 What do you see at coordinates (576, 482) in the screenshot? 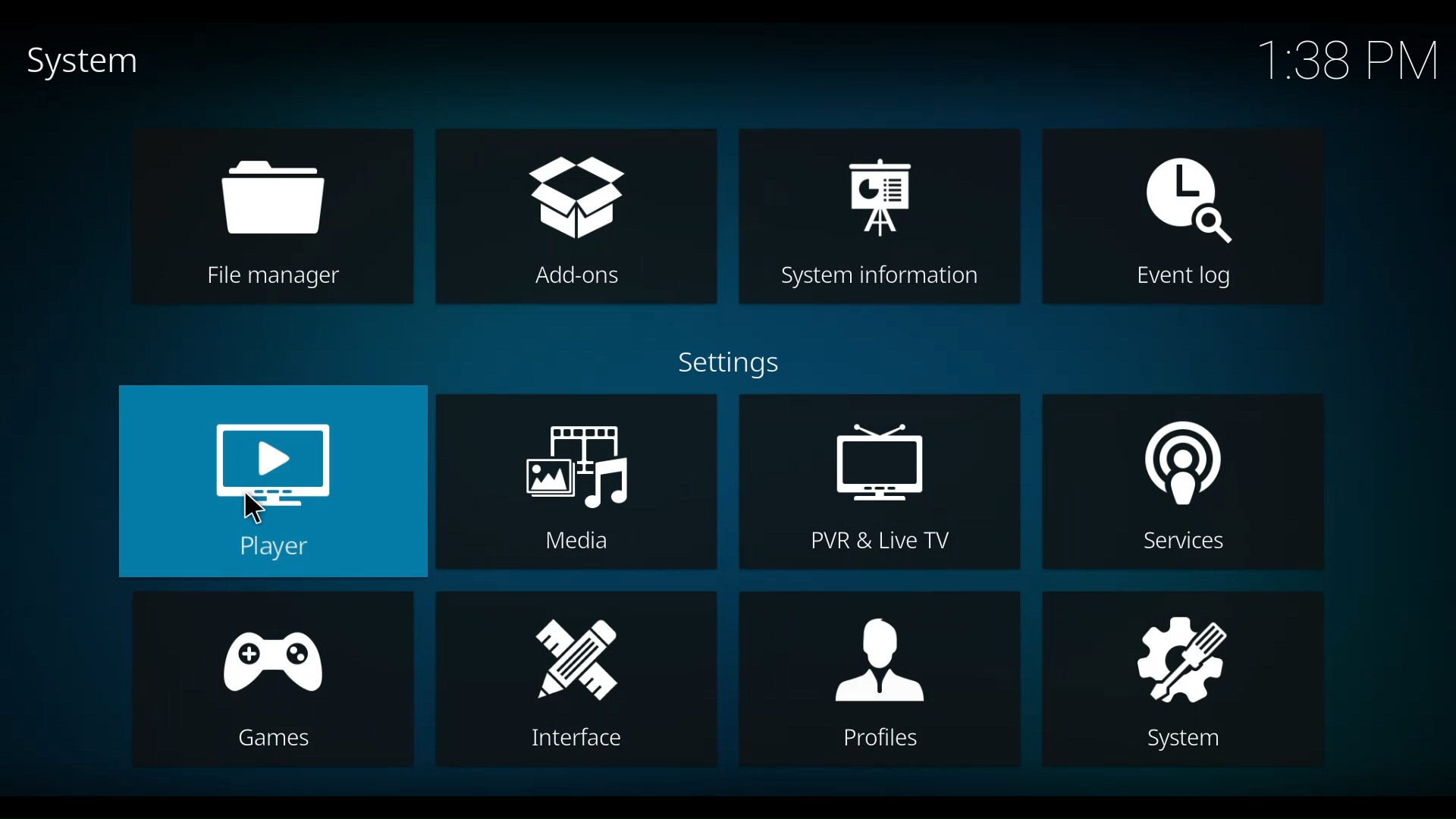
I see `Media` at bounding box center [576, 482].